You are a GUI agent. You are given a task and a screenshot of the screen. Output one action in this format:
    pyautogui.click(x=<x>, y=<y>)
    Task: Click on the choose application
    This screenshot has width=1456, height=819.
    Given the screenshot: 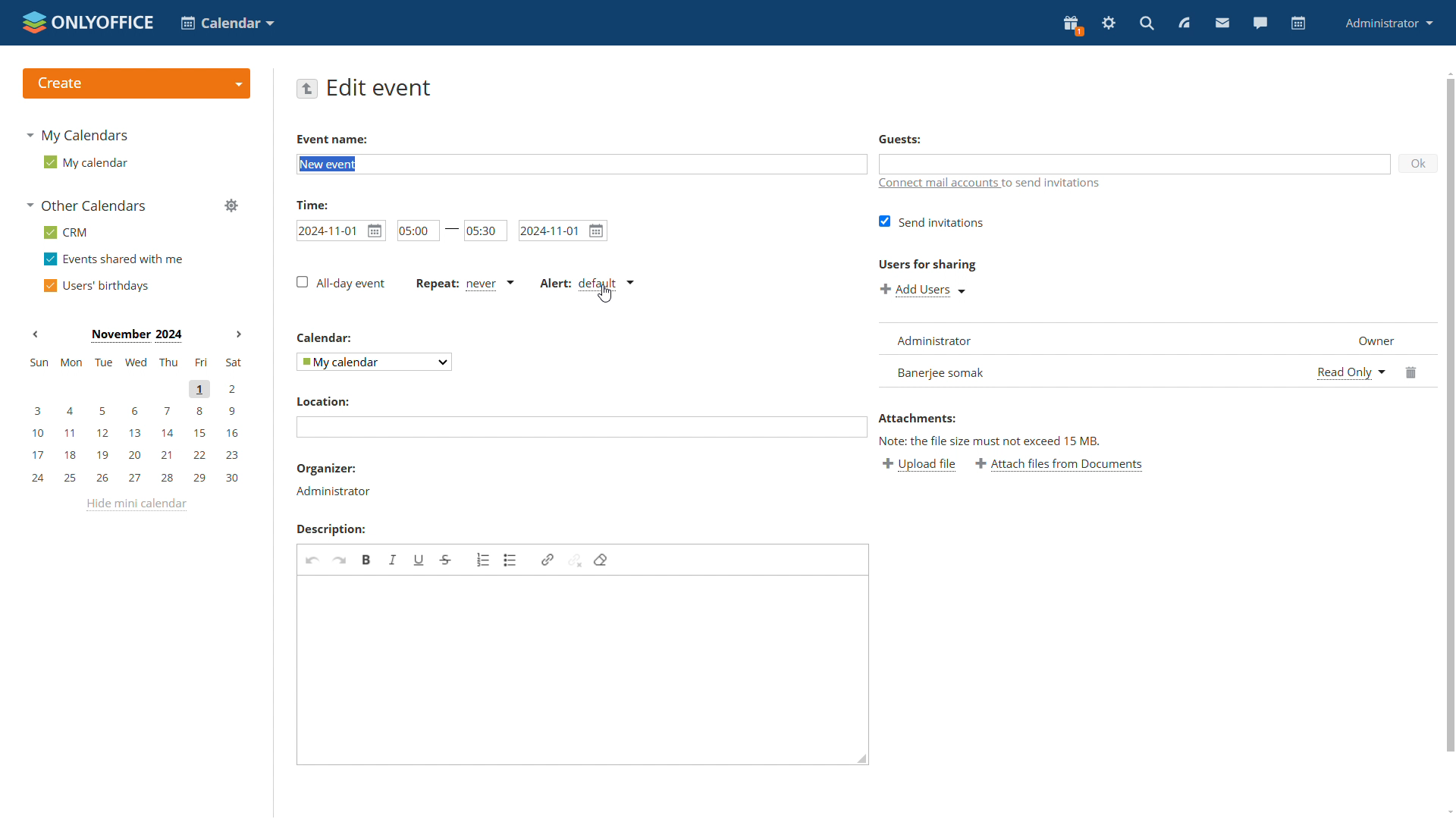 What is the action you would take?
    pyautogui.click(x=226, y=22)
    